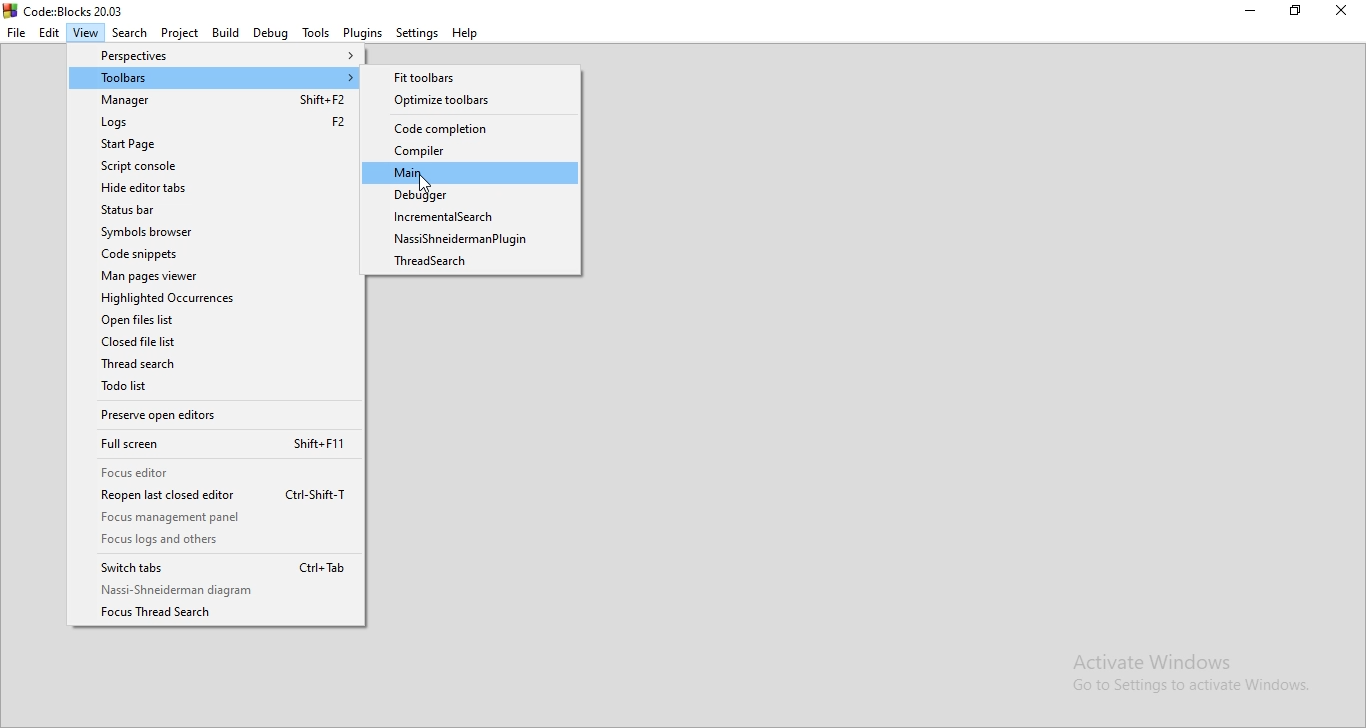 The height and width of the screenshot is (728, 1366). I want to click on Tools , so click(317, 33).